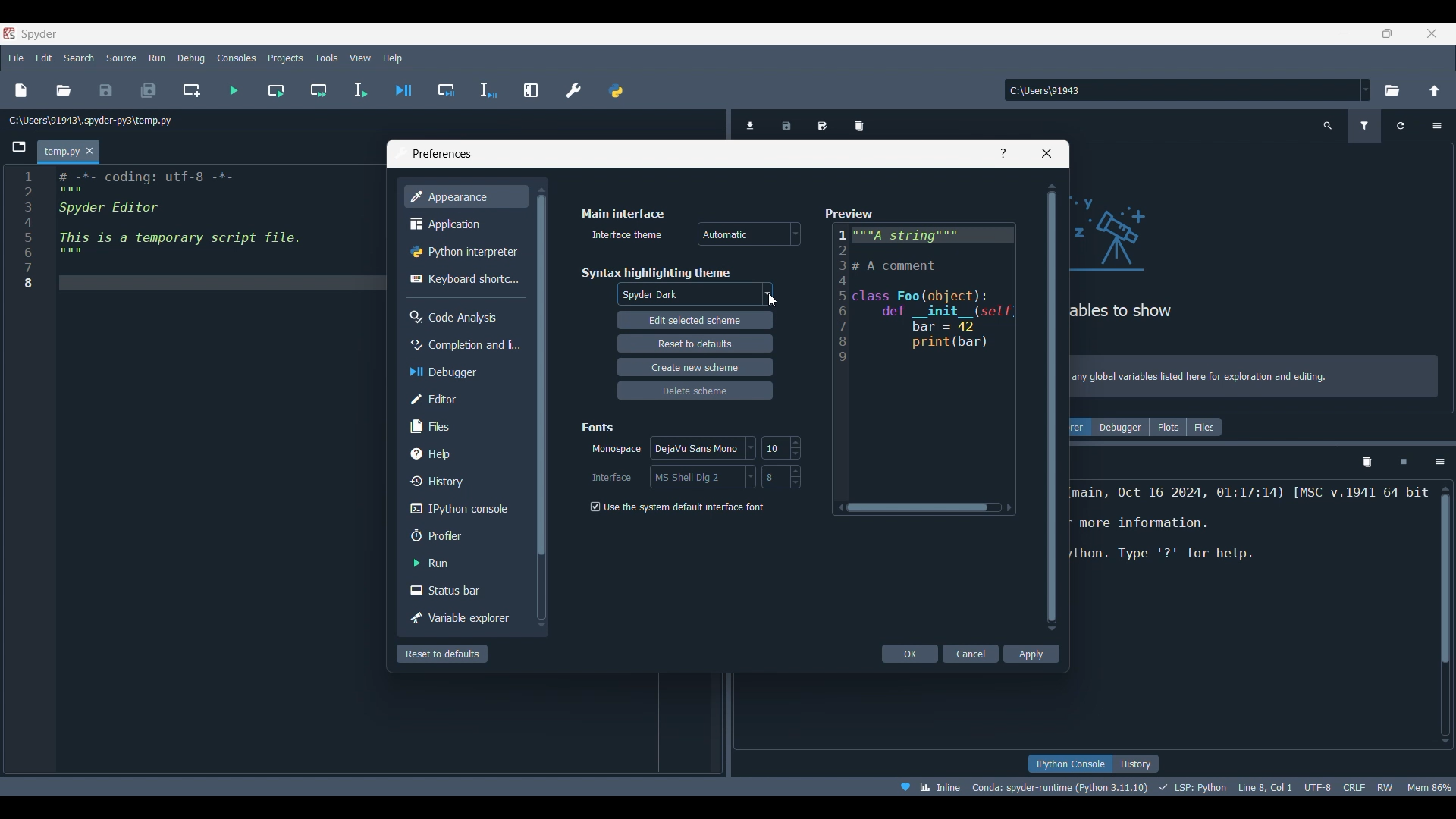  Describe the element at coordinates (488, 91) in the screenshot. I see `Debug selection or current line` at that location.